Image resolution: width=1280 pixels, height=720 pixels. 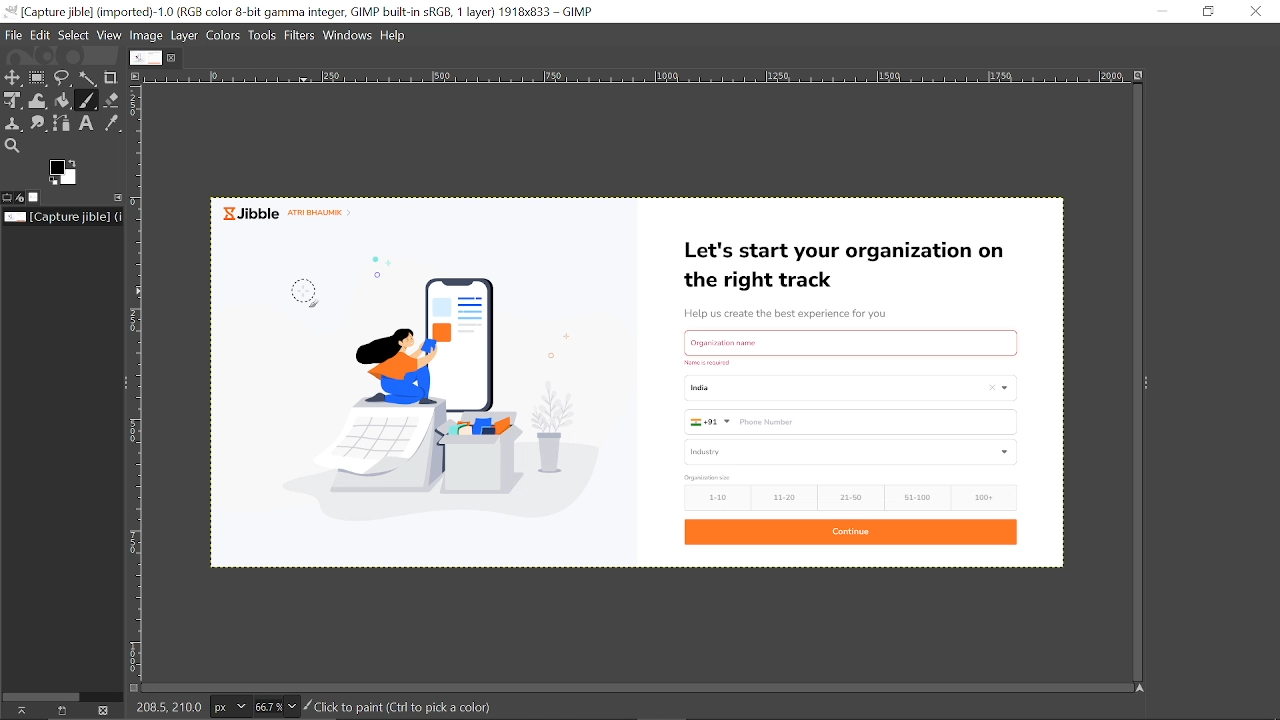 I want to click on Edit, so click(x=42, y=36).